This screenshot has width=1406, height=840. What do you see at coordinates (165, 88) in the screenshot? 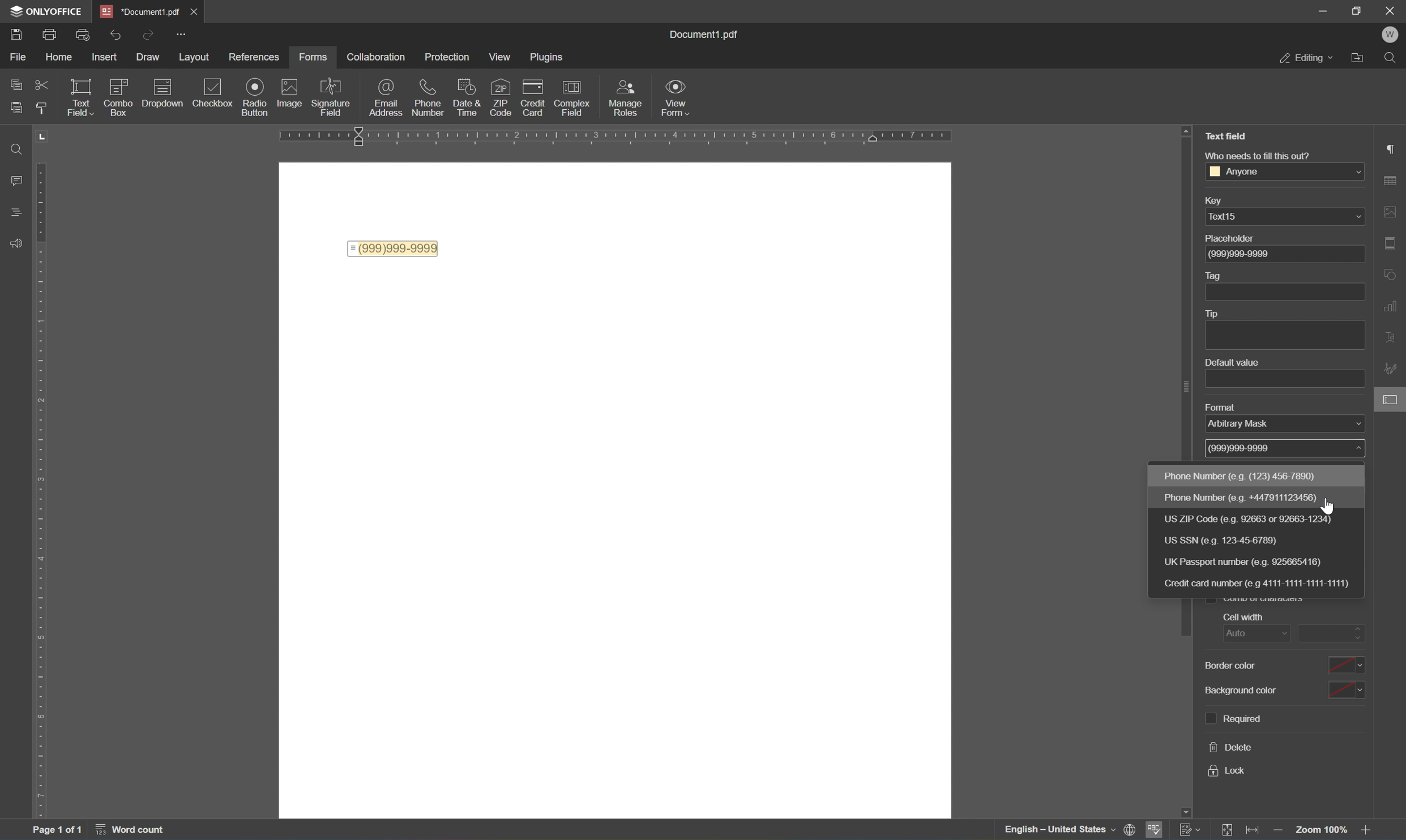
I see `dropdown` at bounding box center [165, 88].